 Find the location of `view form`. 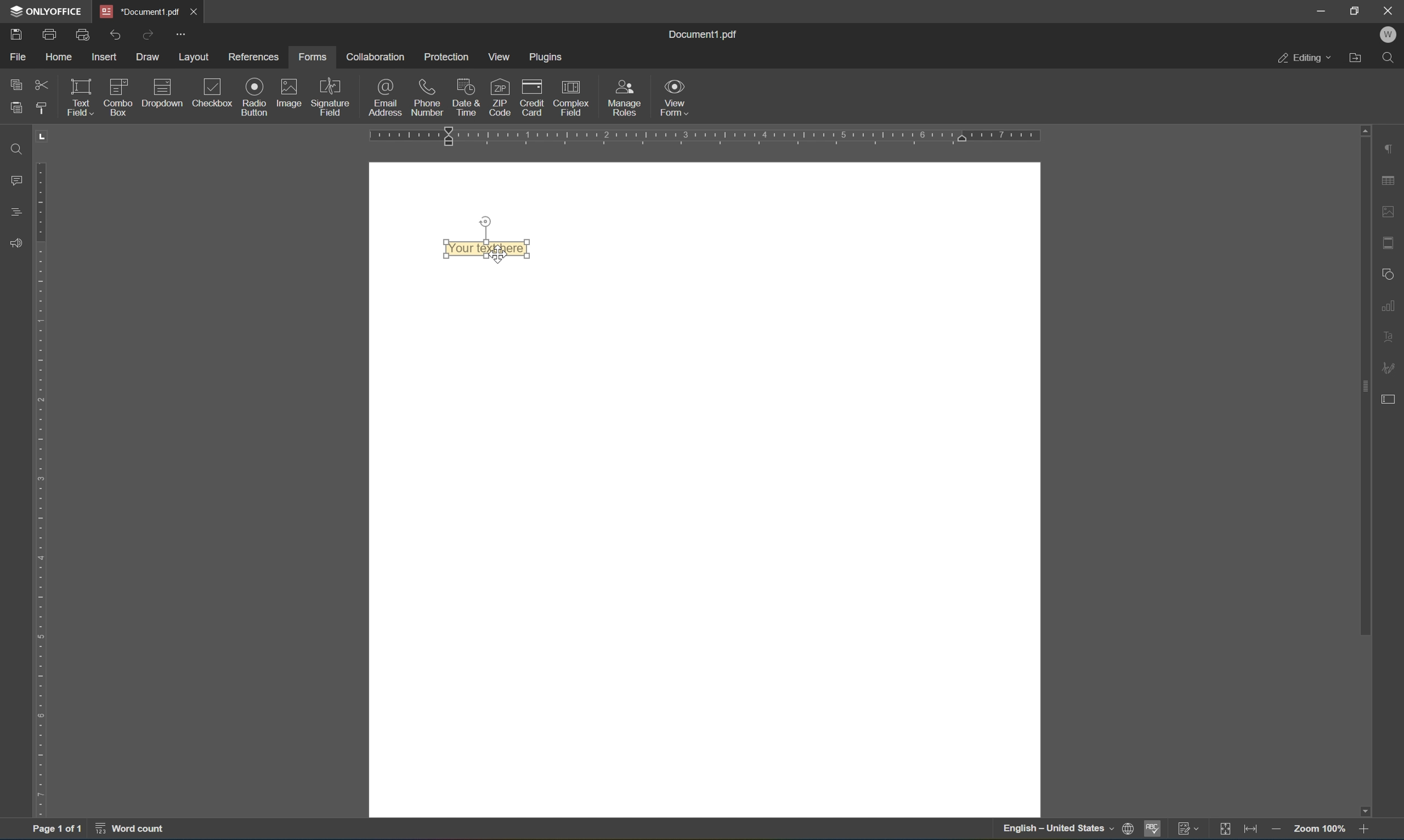

view form is located at coordinates (677, 97).